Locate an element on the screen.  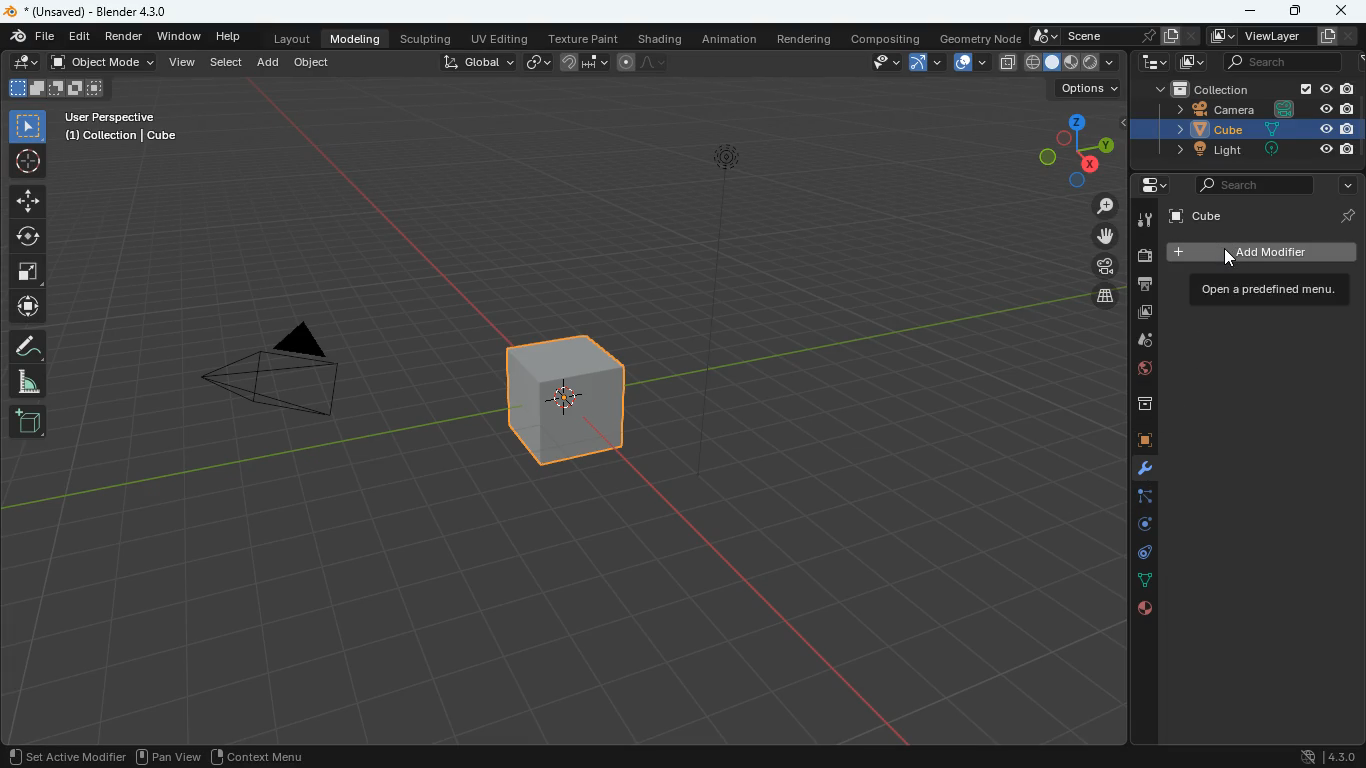
layers is located at coordinates (1106, 295).